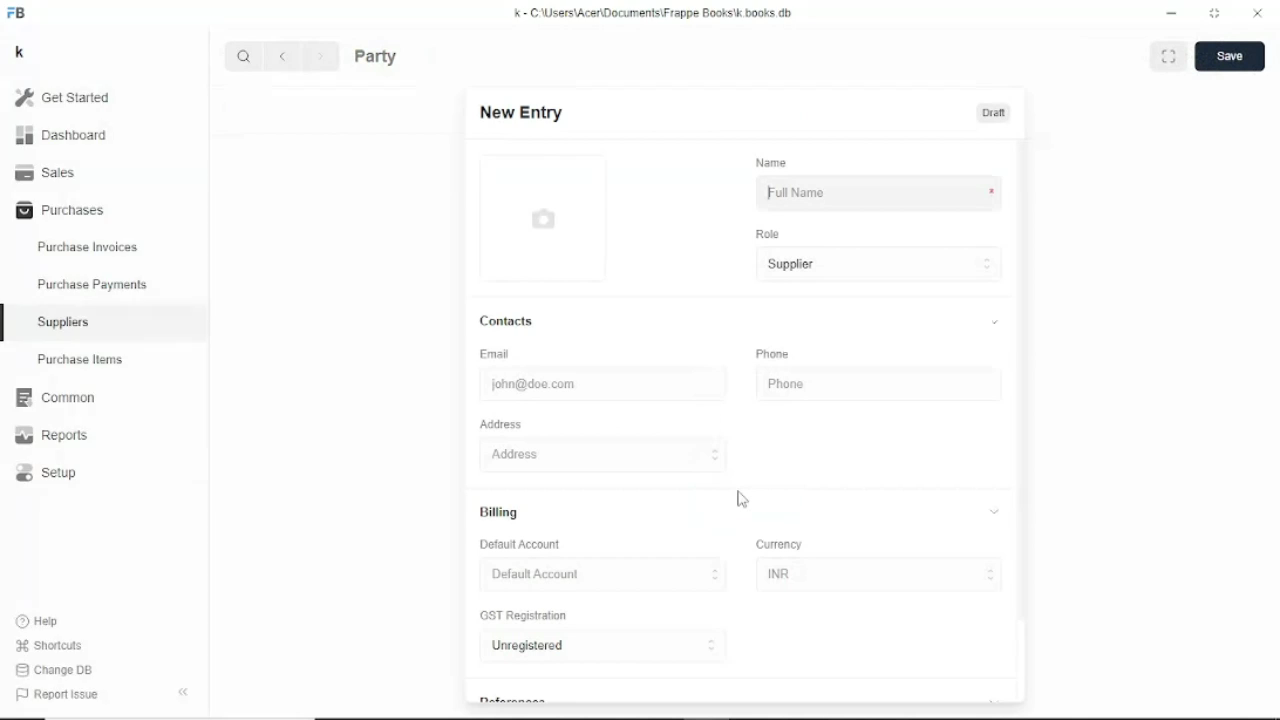 The width and height of the screenshot is (1280, 720). Describe the element at coordinates (286, 56) in the screenshot. I see `Back` at that location.